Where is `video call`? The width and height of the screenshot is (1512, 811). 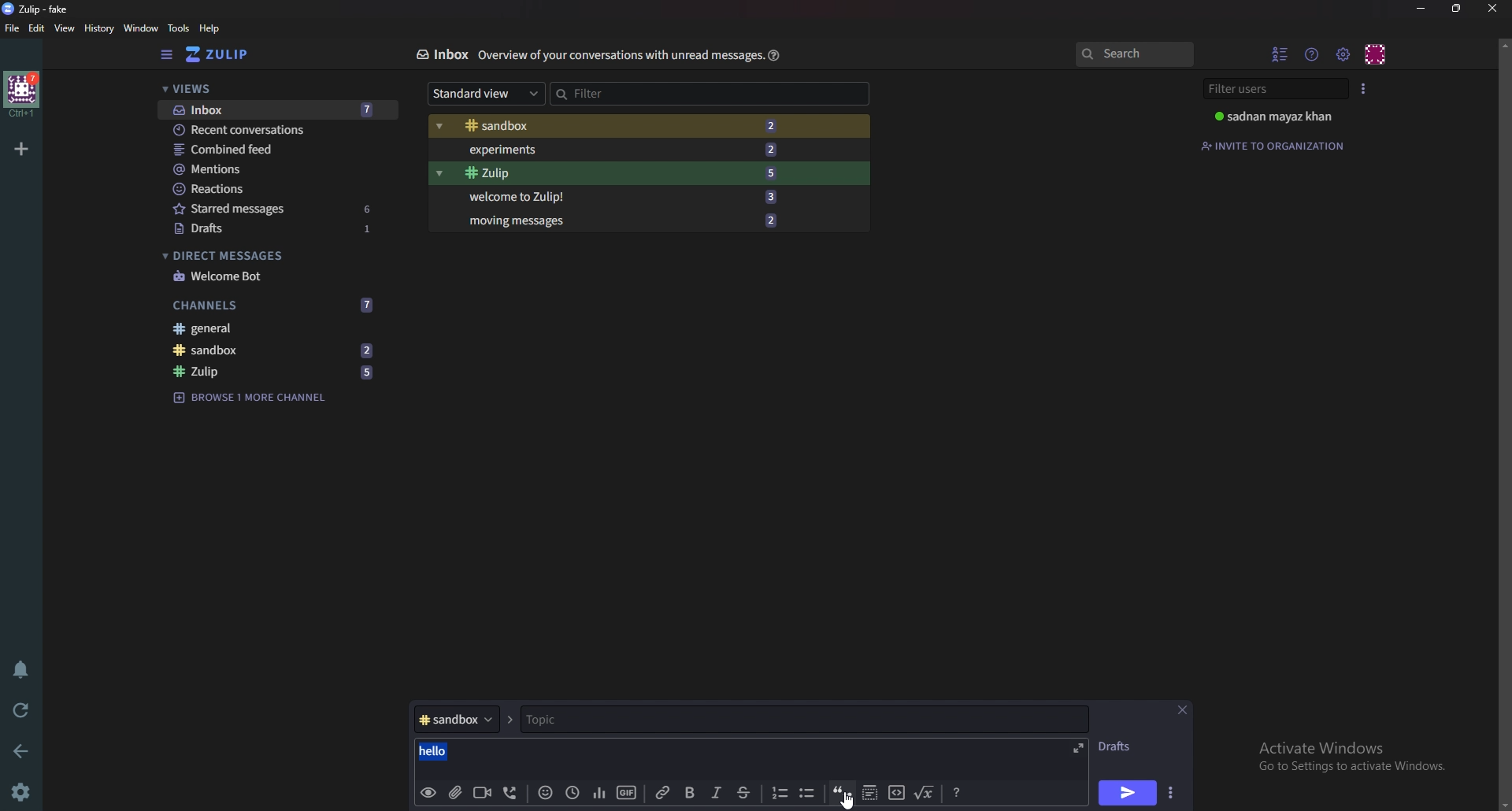 video call is located at coordinates (482, 793).